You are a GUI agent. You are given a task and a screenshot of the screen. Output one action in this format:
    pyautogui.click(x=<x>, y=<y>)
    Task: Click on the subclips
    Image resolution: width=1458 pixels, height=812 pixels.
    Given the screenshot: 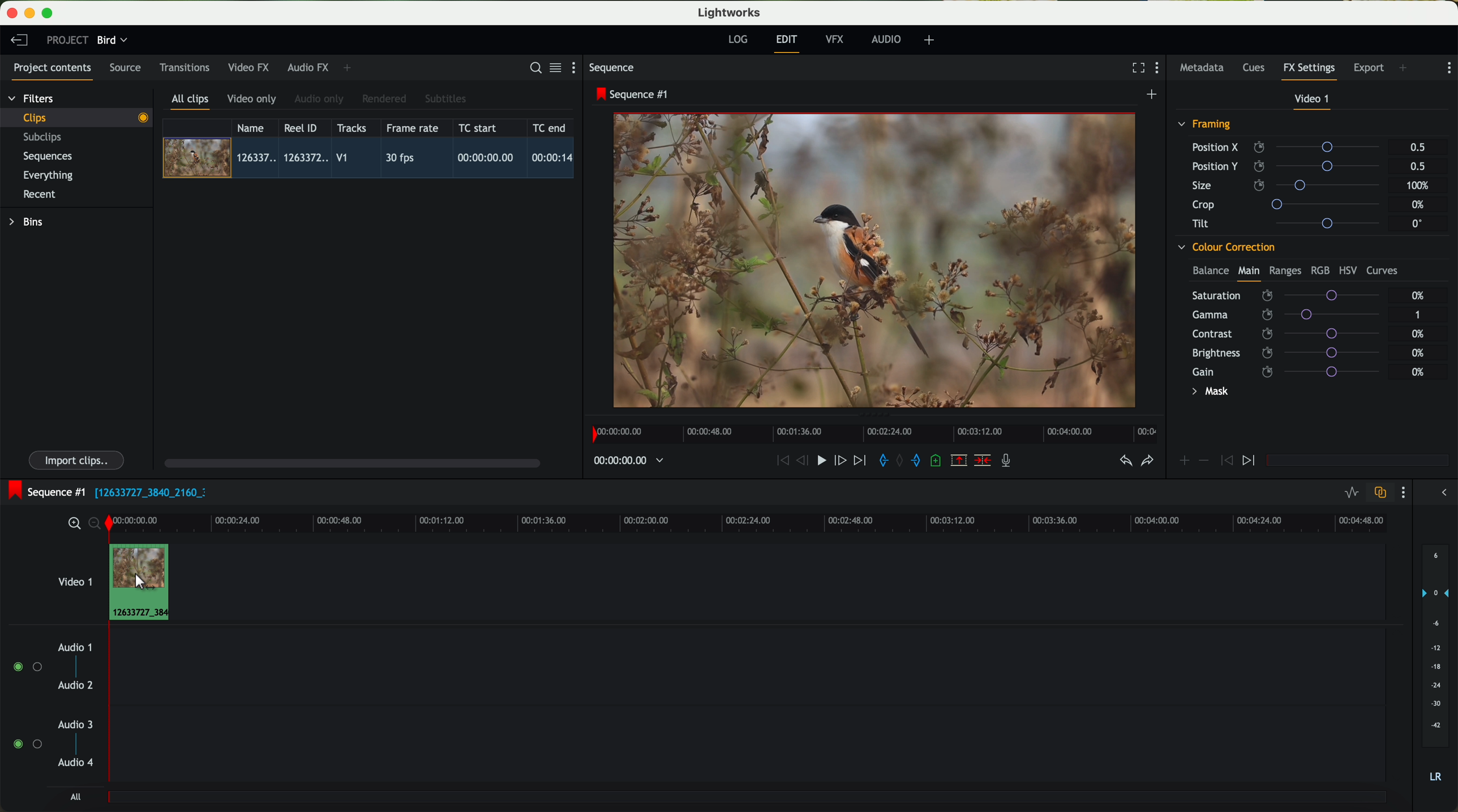 What is the action you would take?
    pyautogui.click(x=45, y=138)
    